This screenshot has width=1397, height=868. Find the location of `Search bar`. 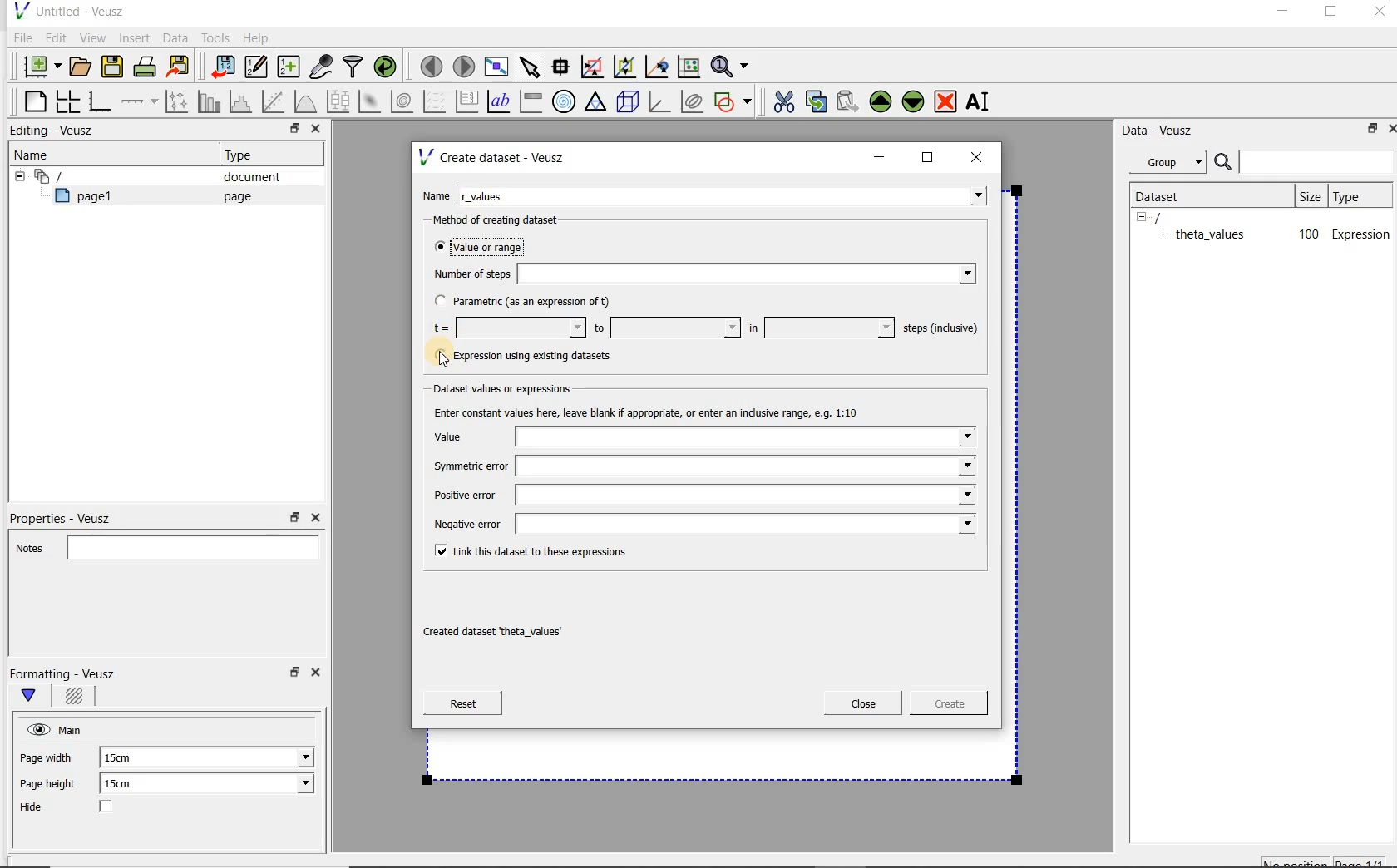

Search bar is located at coordinates (1305, 160).